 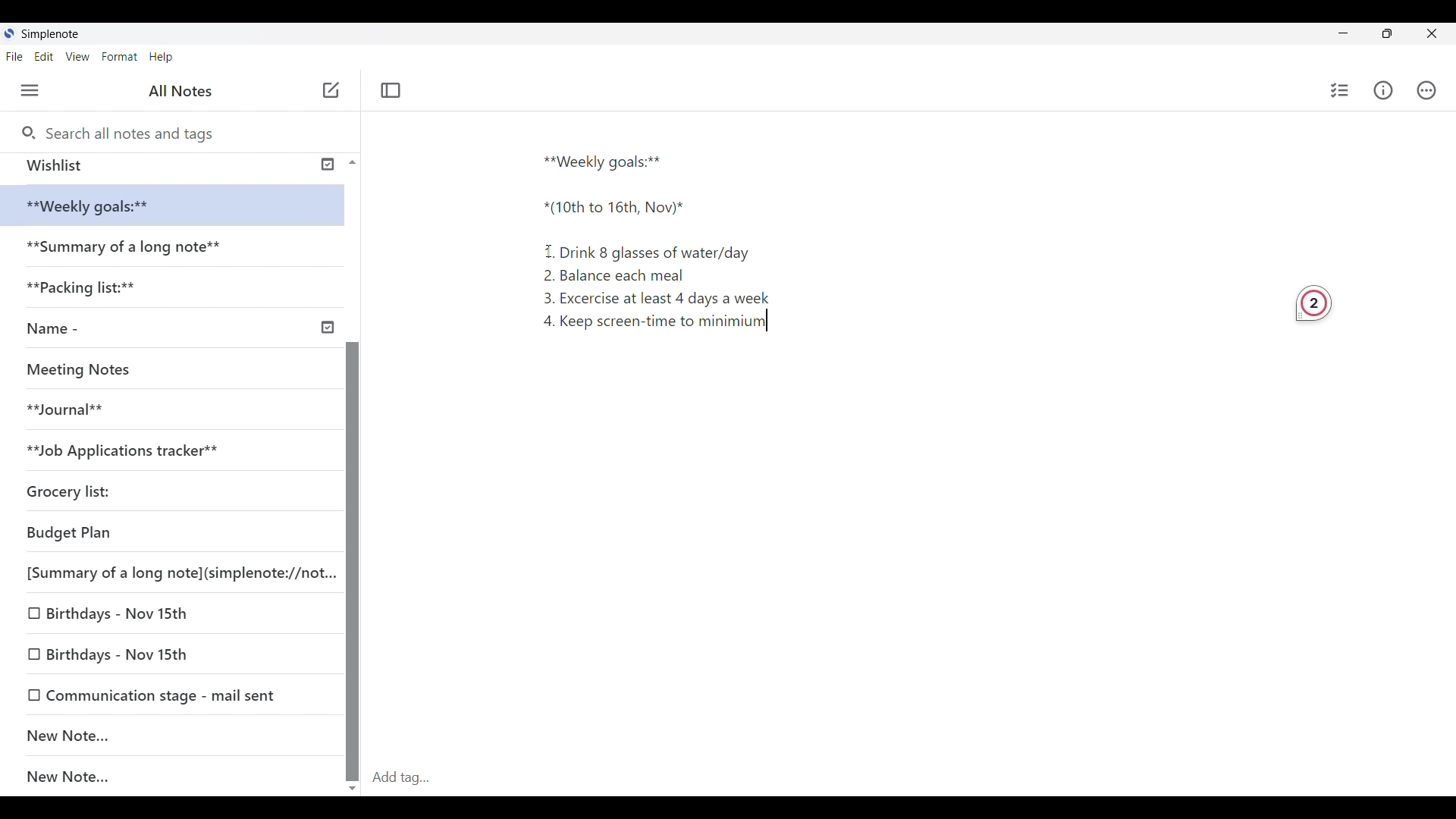 I want to click on Scroll up button, so click(x=348, y=162).